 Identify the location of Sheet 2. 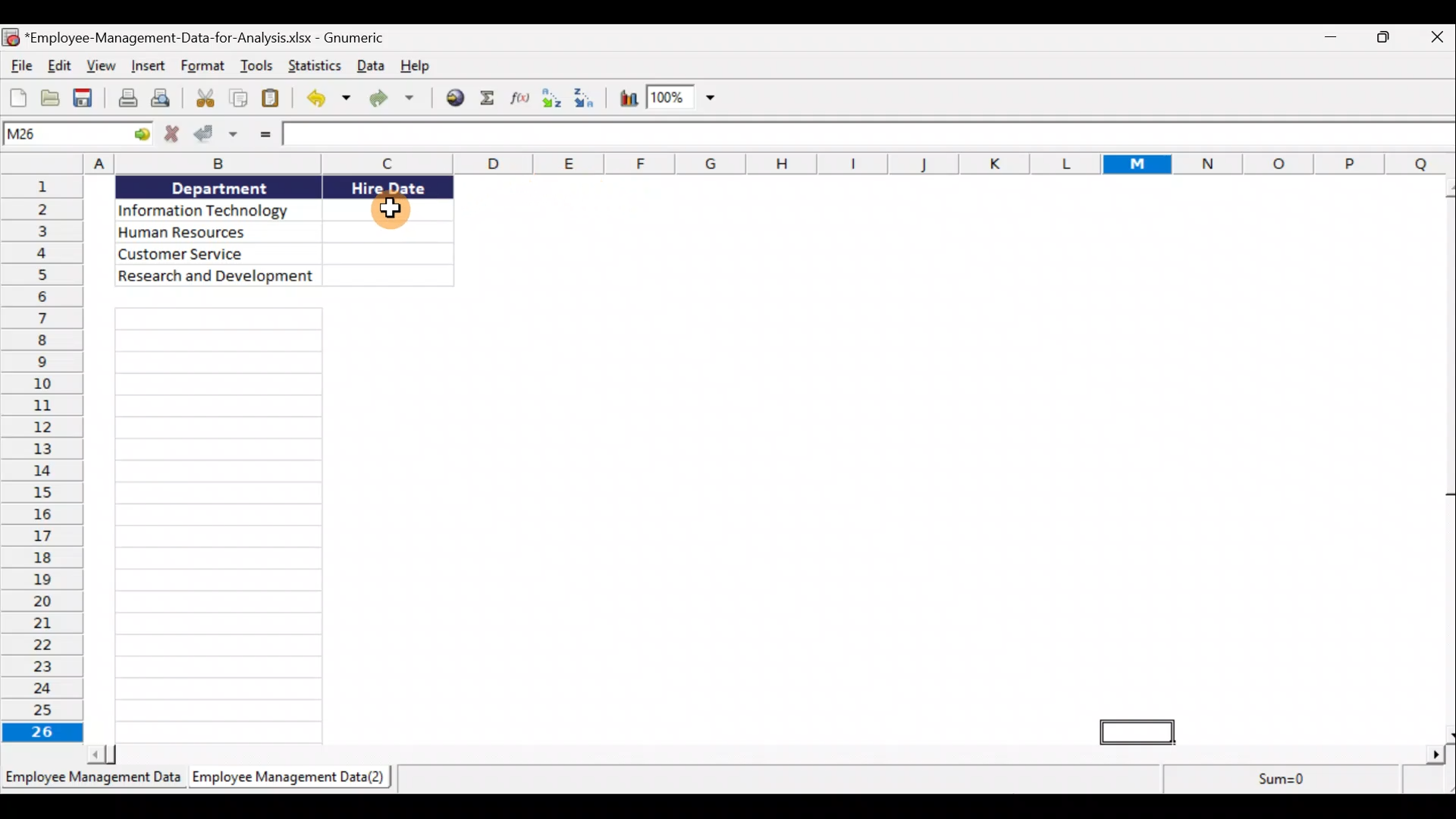
(297, 782).